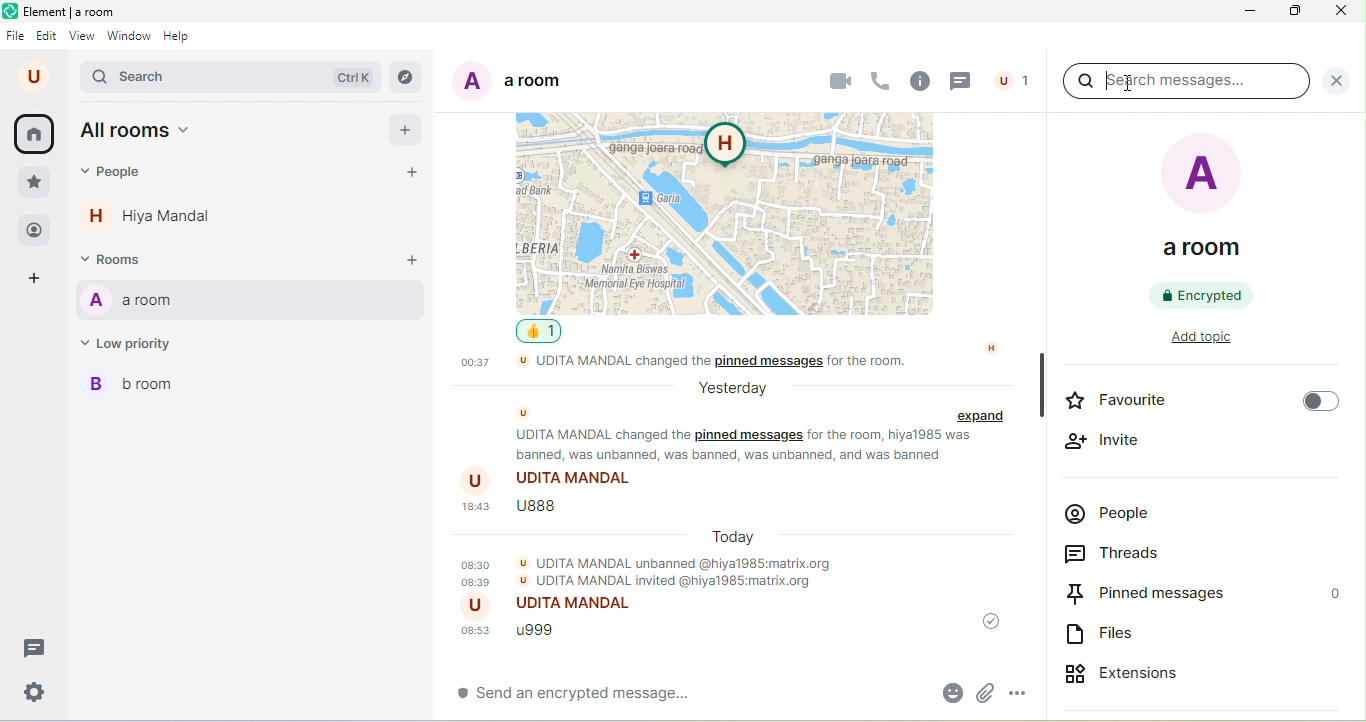  I want to click on send an encrypted message, so click(601, 698).